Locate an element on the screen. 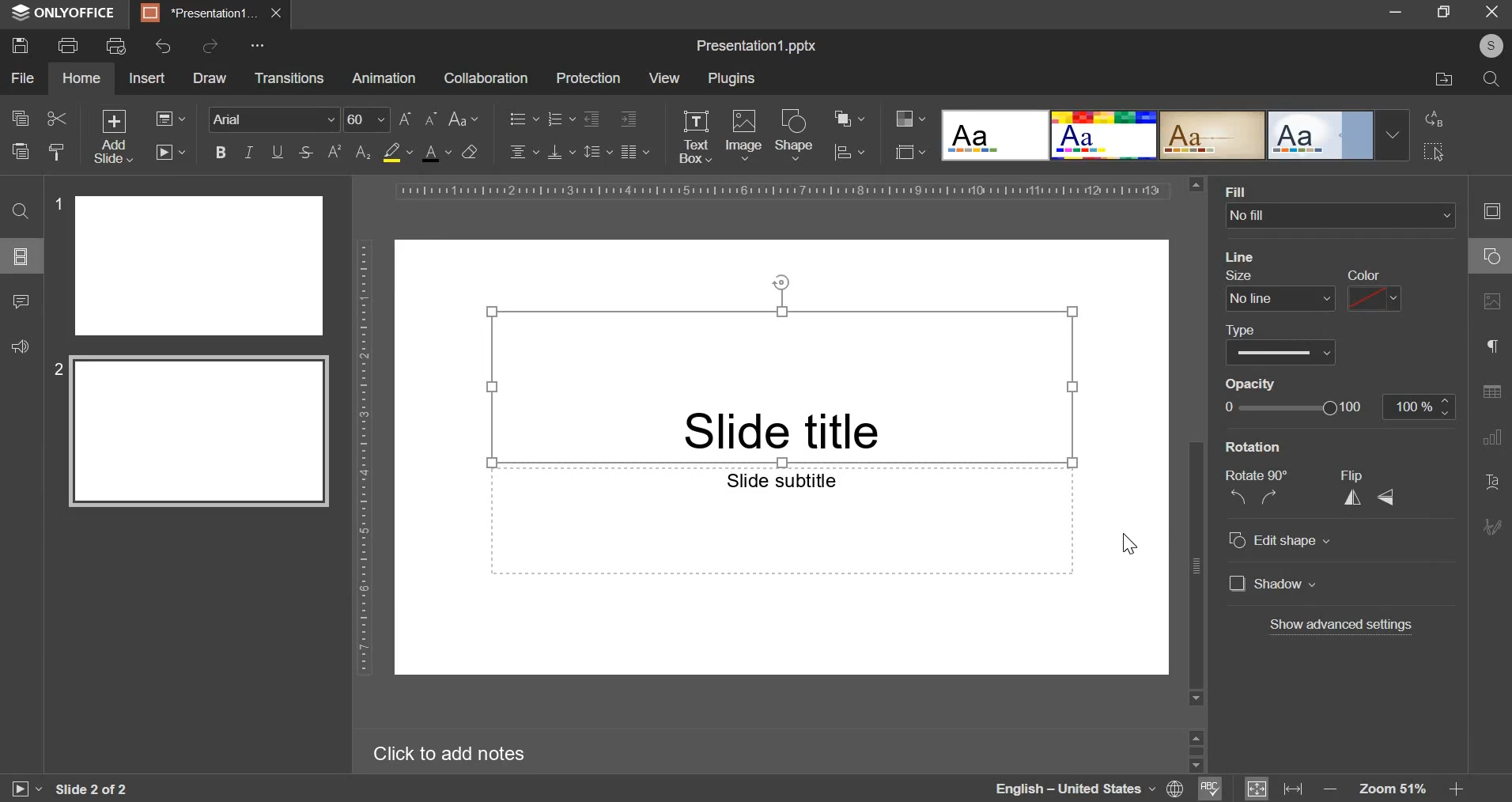 This screenshot has height=802, width=1512. opacity bar is located at coordinates (1299, 407).